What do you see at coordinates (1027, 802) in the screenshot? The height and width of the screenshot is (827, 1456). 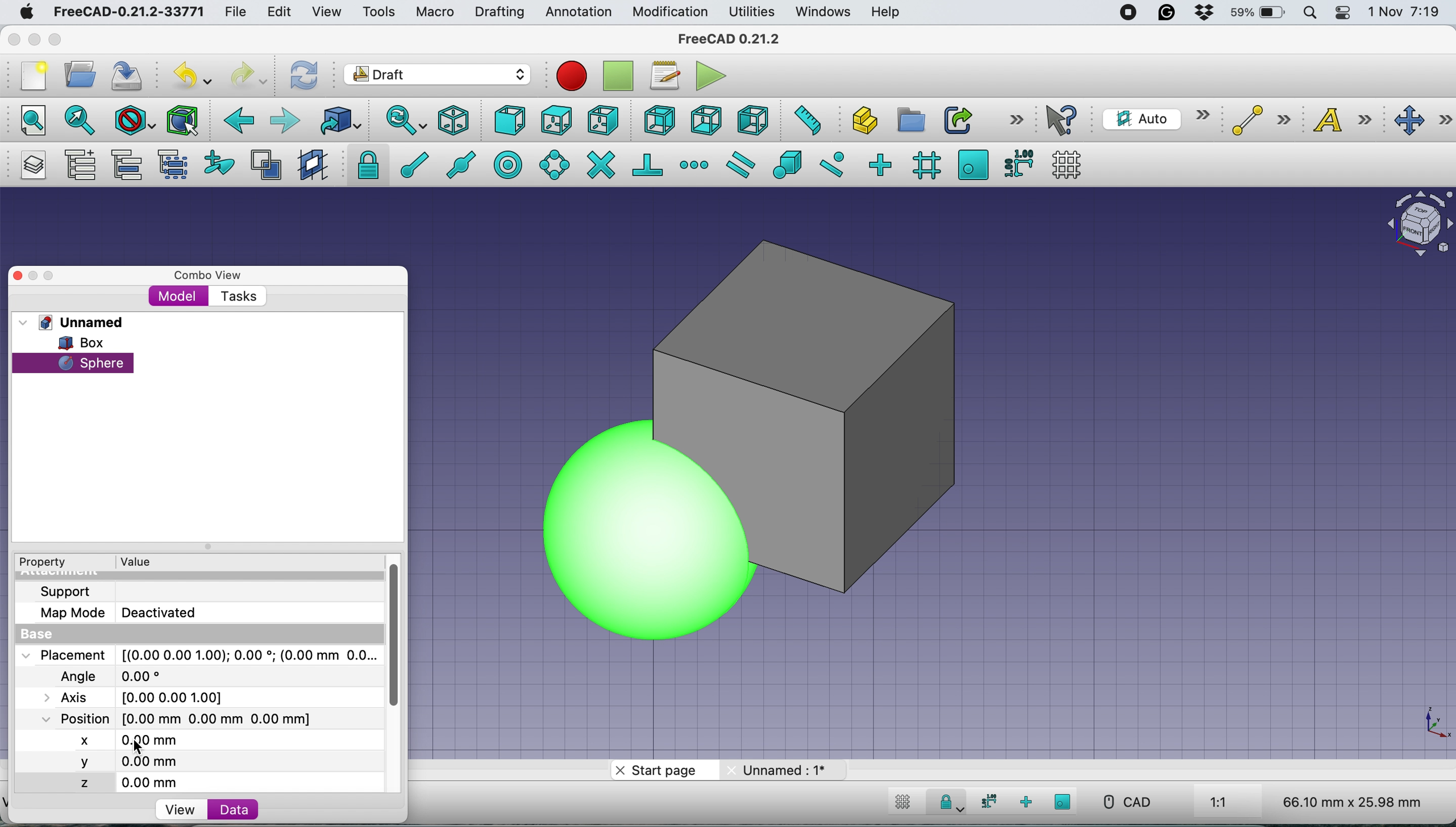 I see `snap ortho` at bounding box center [1027, 802].